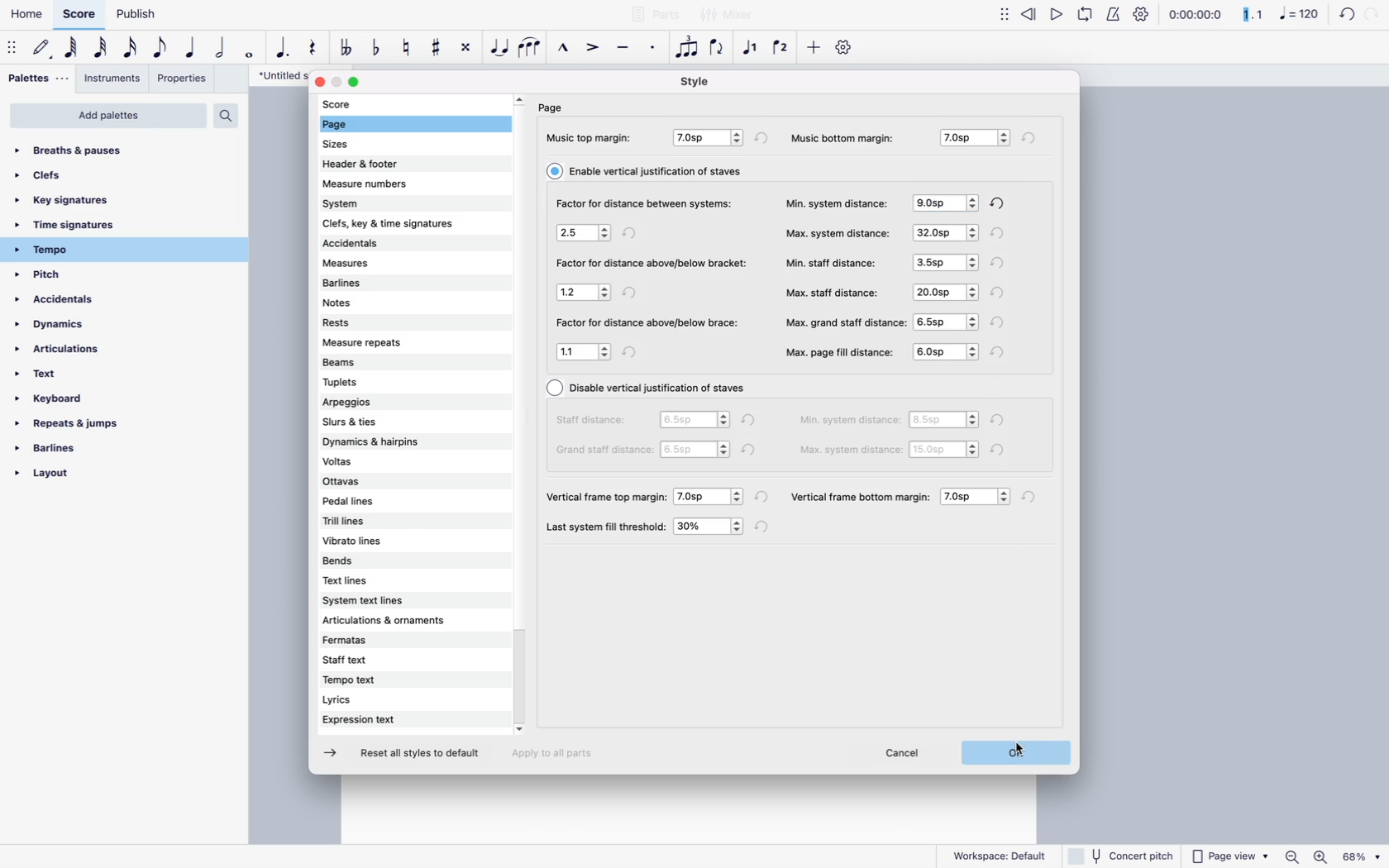 This screenshot has height=868, width=1389. I want to click on options, so click(949, 321).